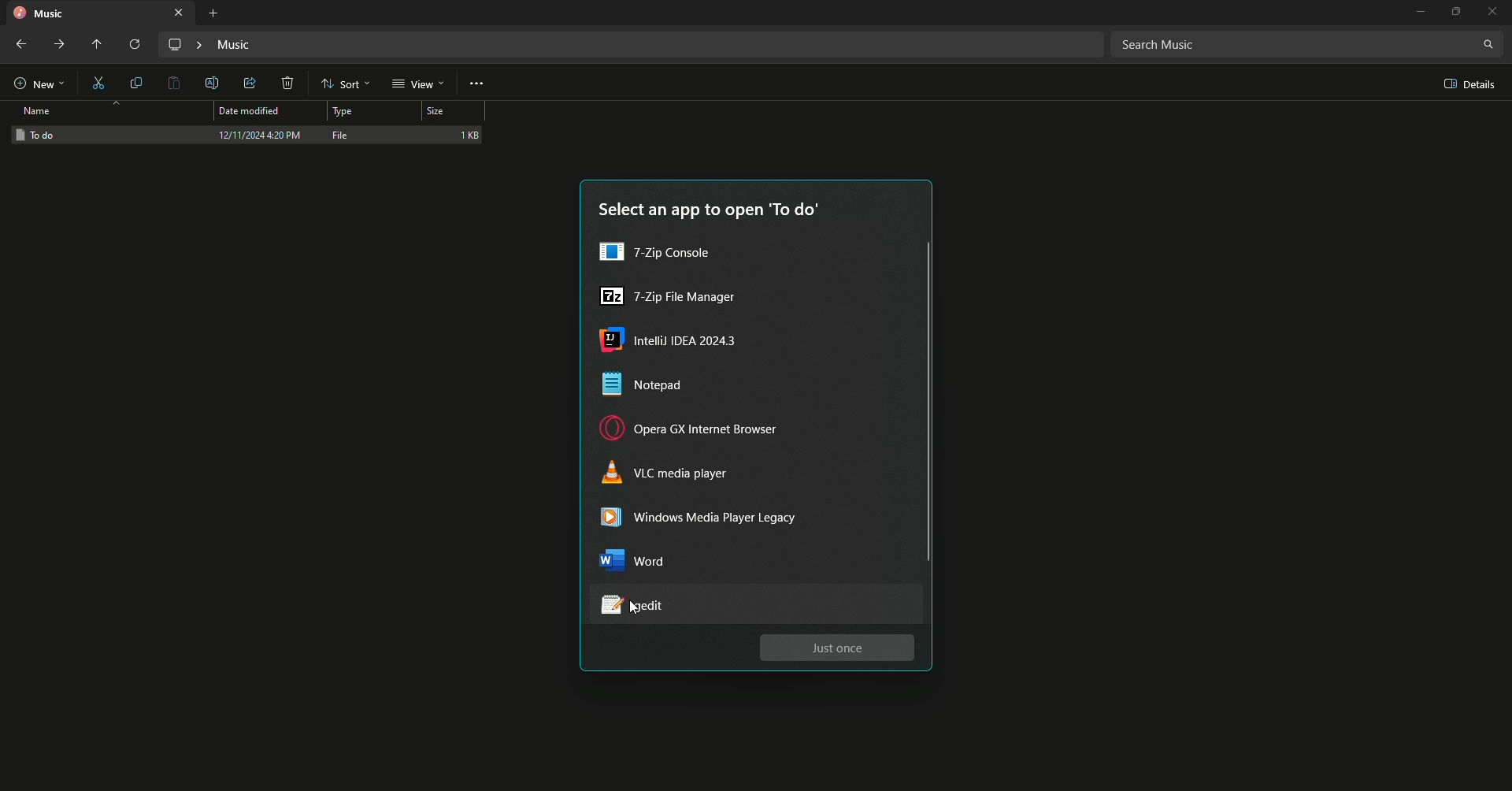  I want to click on View, so click(417, 85).